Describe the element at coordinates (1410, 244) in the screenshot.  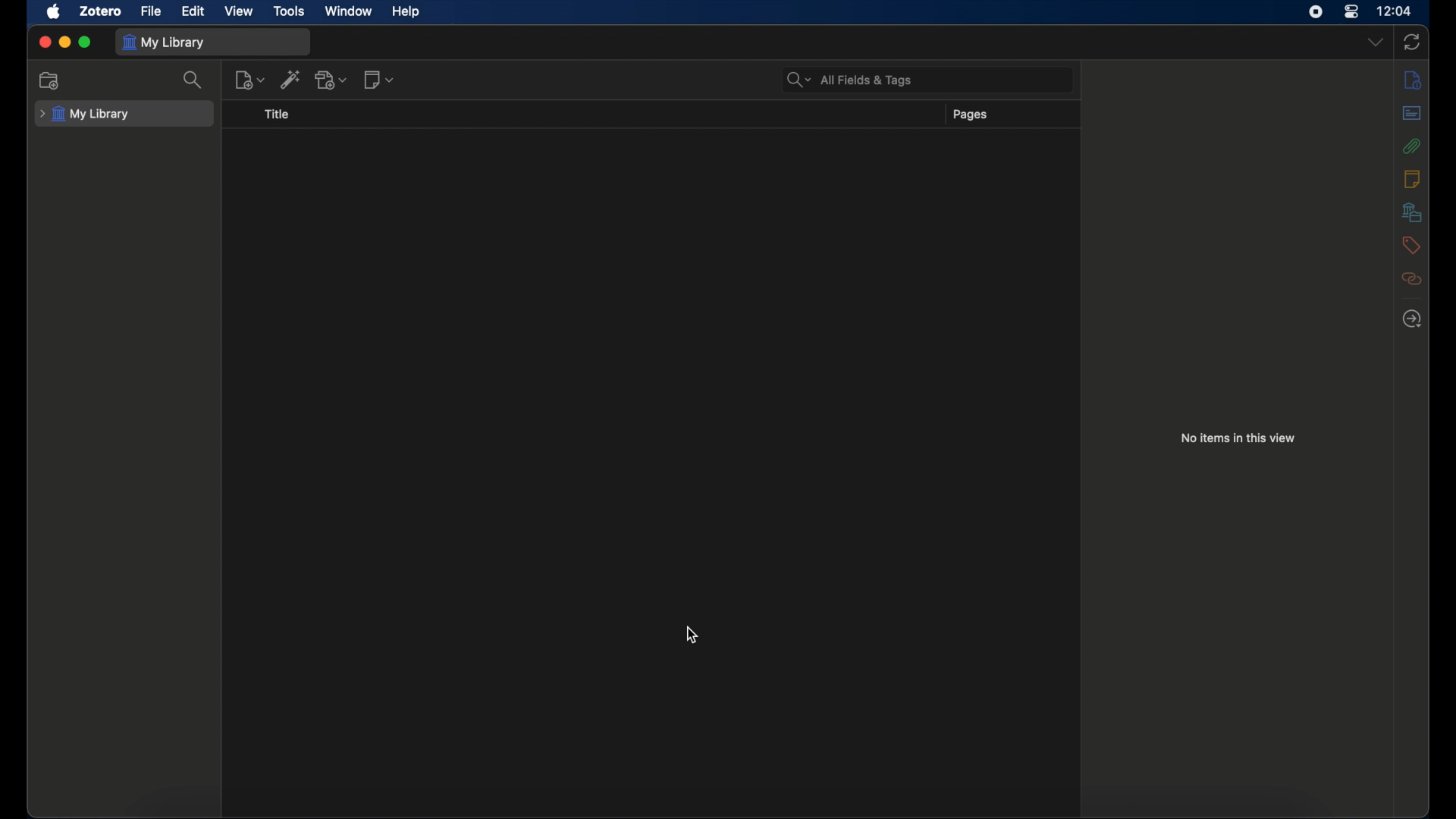
I see `tags` at that location.